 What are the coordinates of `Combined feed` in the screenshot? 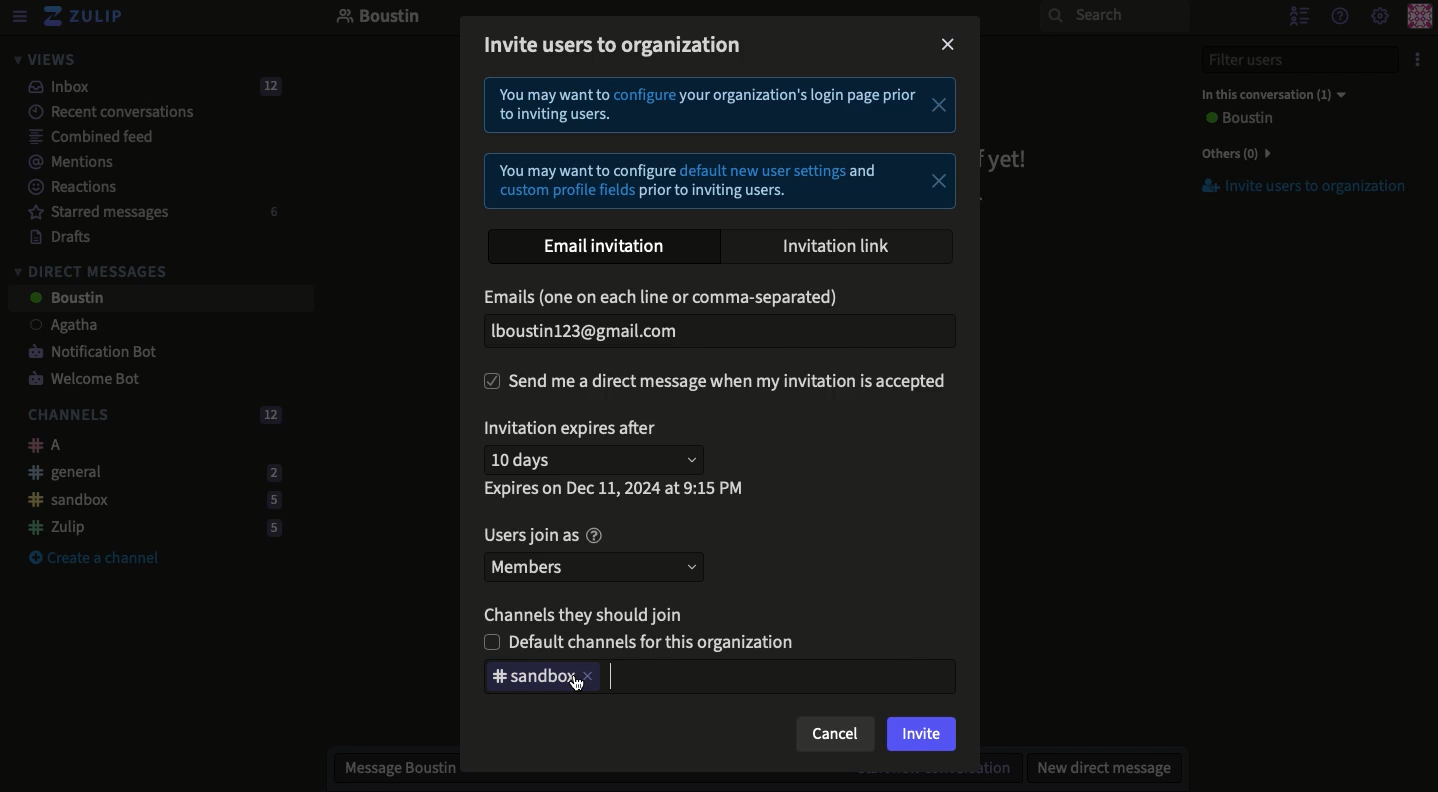 It's located at (80, 136).